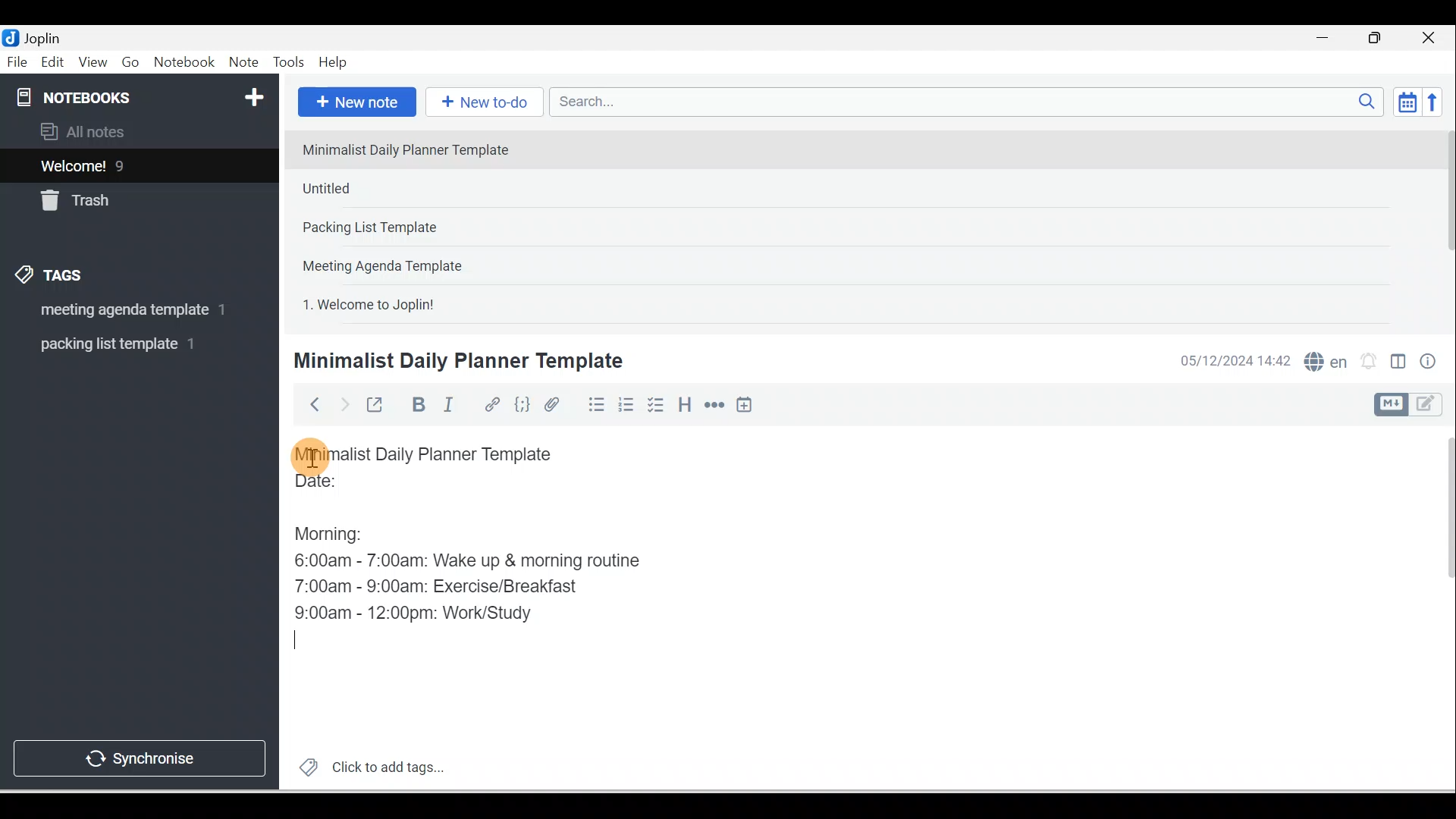  I want to click on Note 3, so click(418, 228).